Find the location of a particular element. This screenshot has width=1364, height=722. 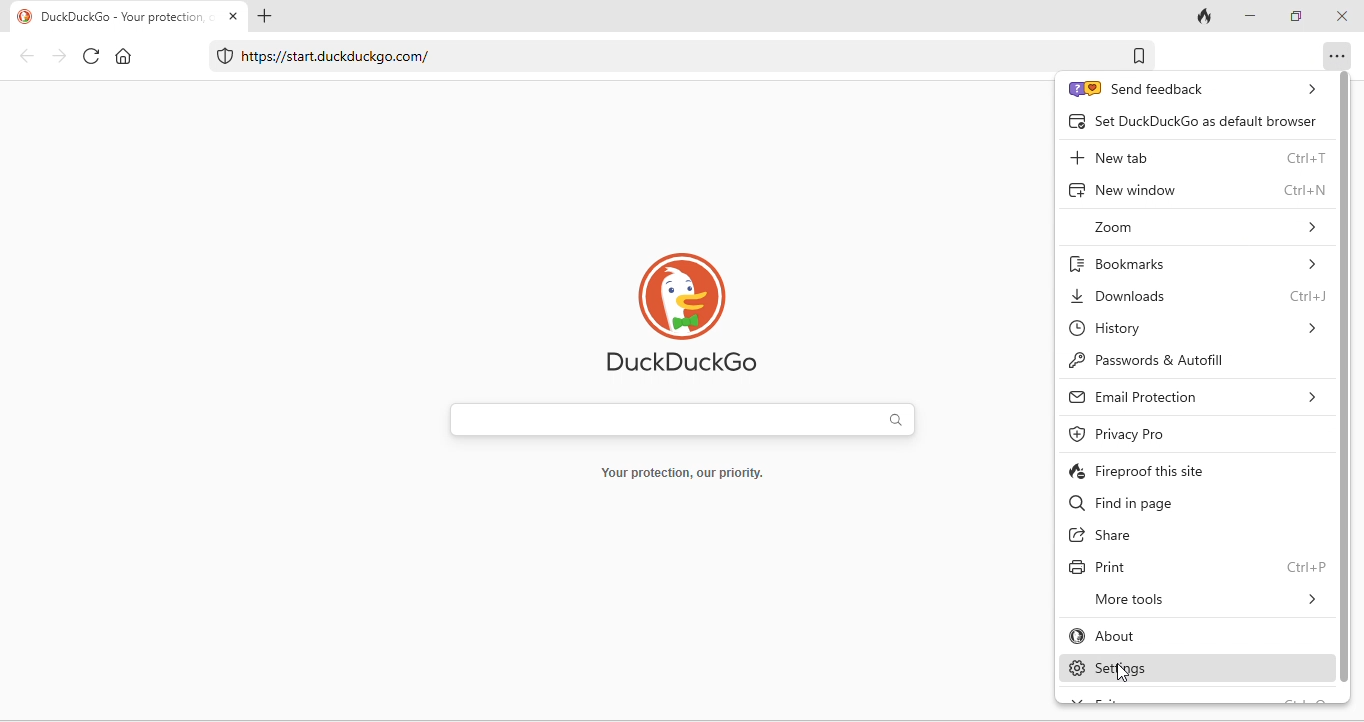

close is located at coordinates (1341, 17).